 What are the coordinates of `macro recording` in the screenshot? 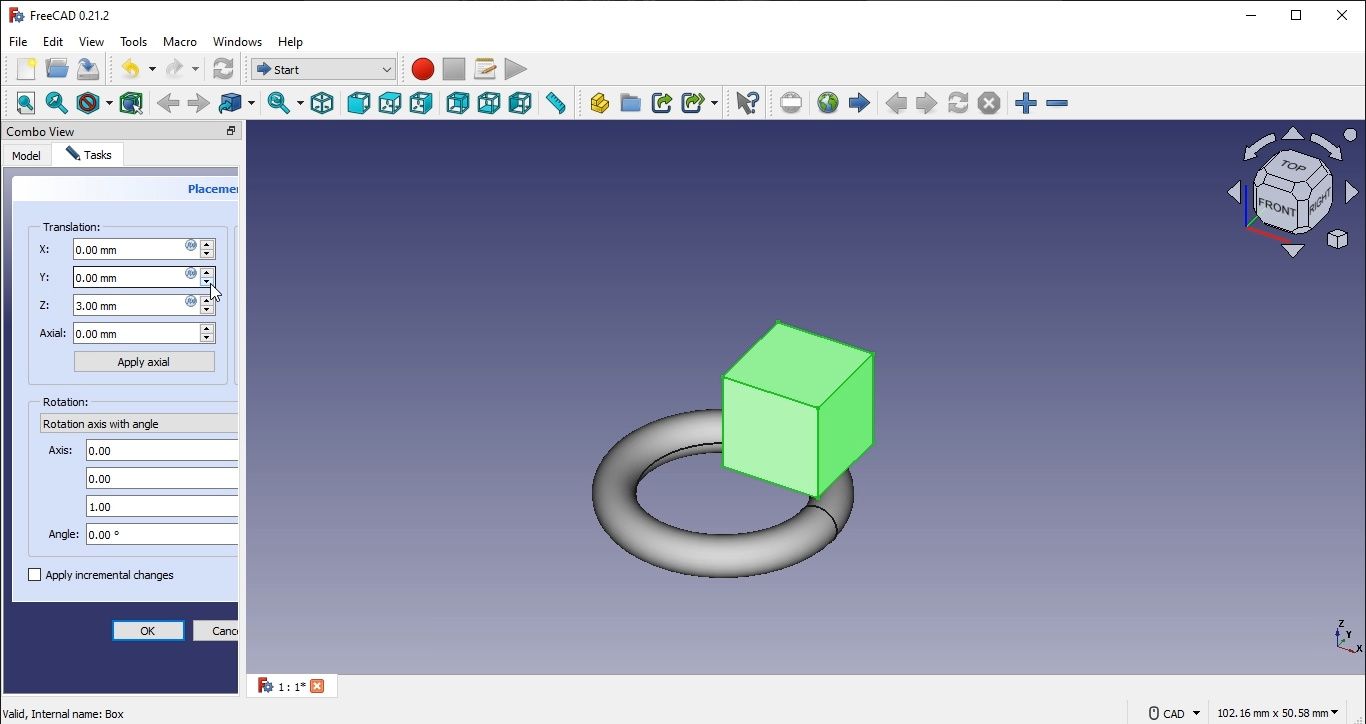 It's located at (423, 70).